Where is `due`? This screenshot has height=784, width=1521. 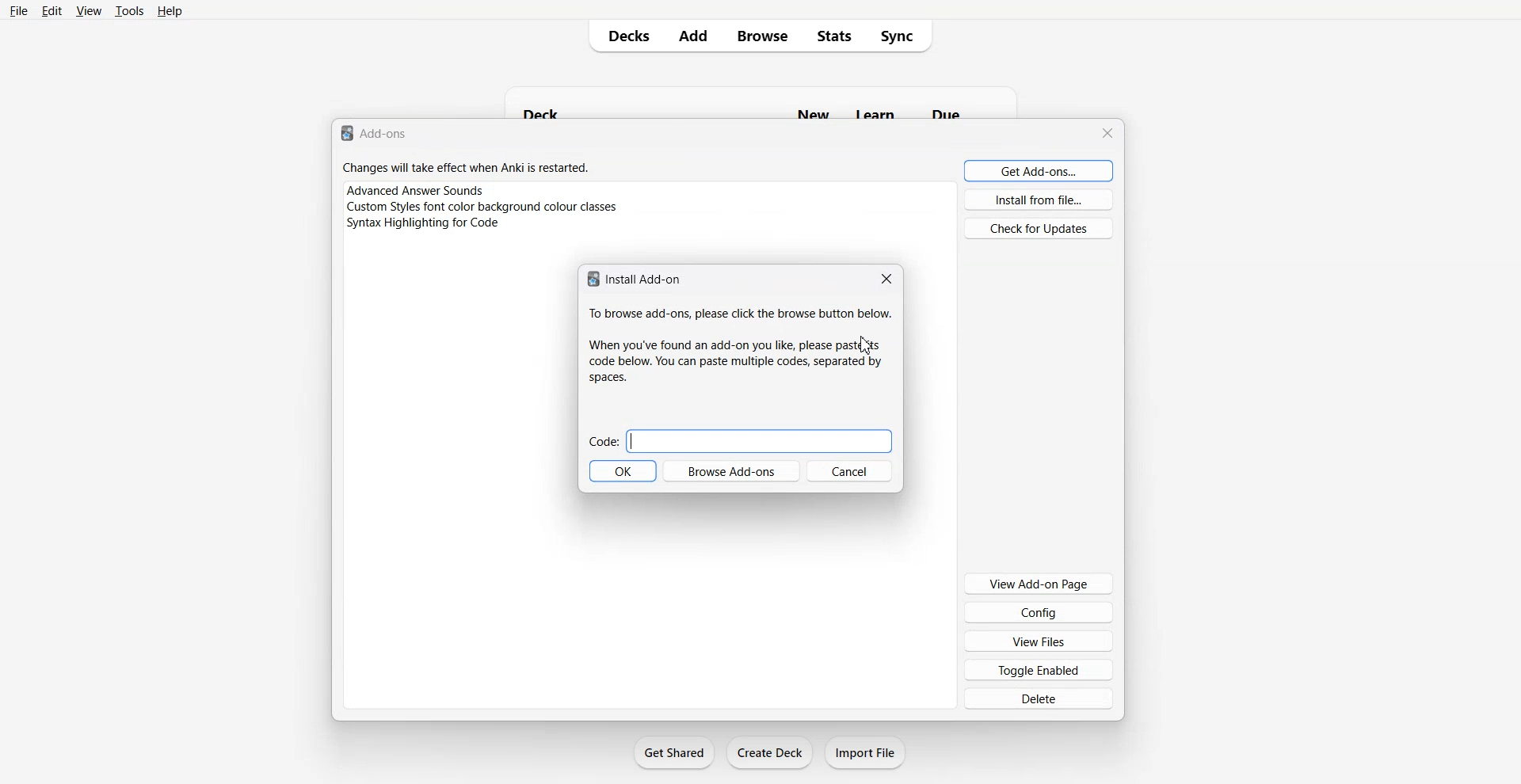 due is located at coordinates (948, 112).